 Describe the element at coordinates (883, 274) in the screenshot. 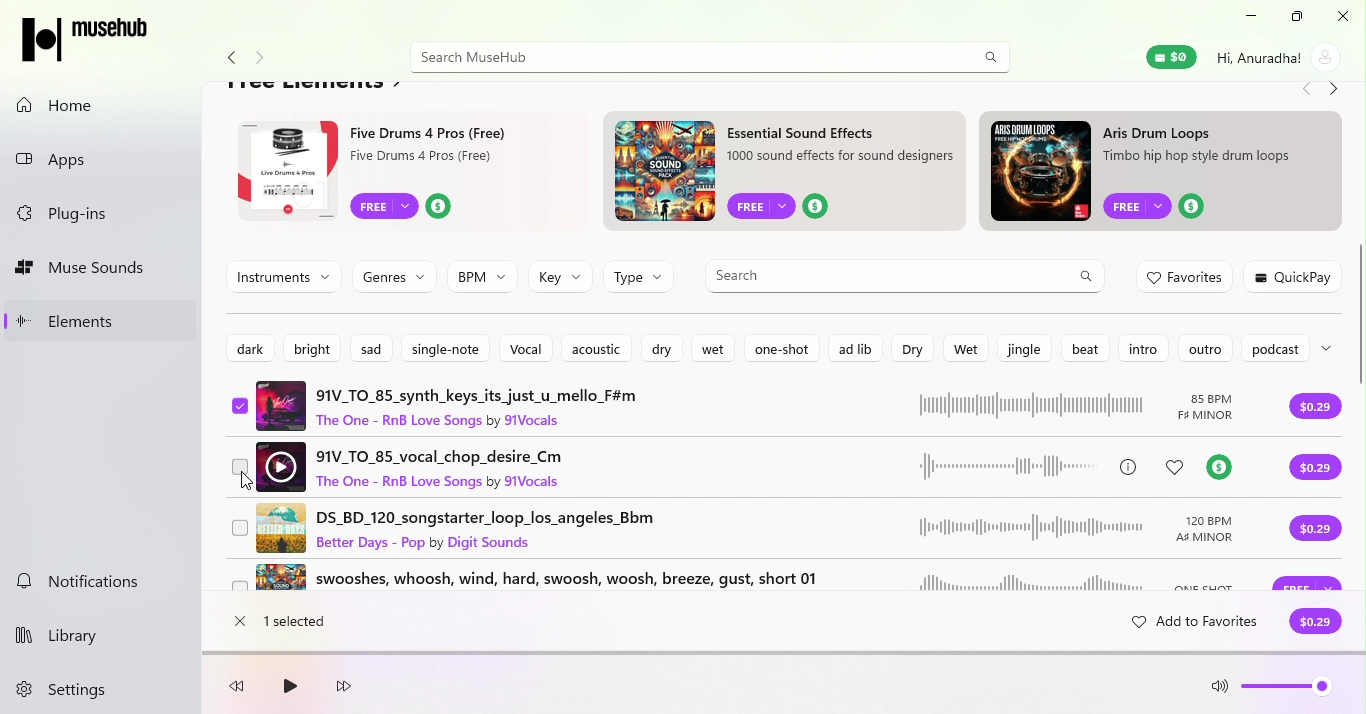

I see `Search bar` at that location.